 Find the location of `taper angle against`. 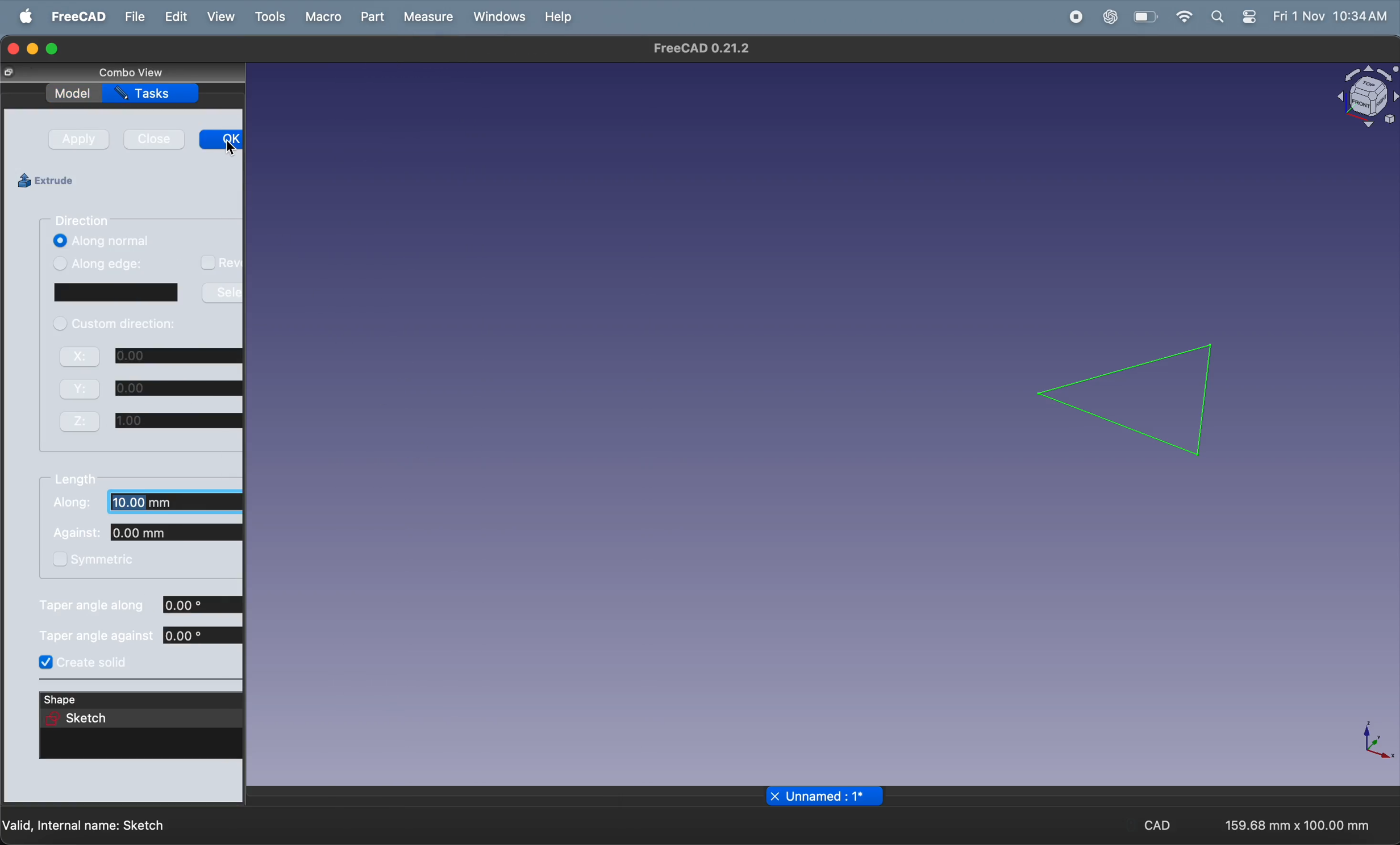

taper angle against is located at coordinates (202, 635).